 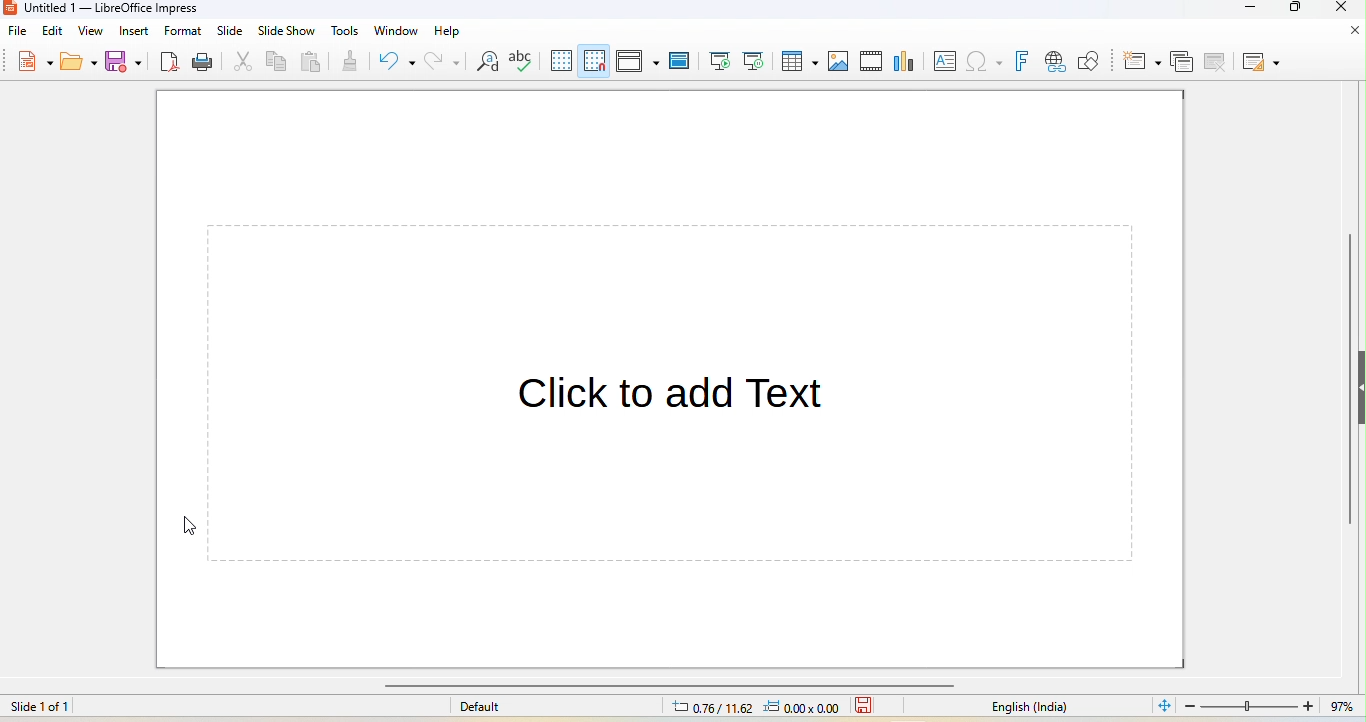 What do you see at coordinates (1245, 10) in the screenshot?
I see `minimize` at bounding box center [1245, 10].